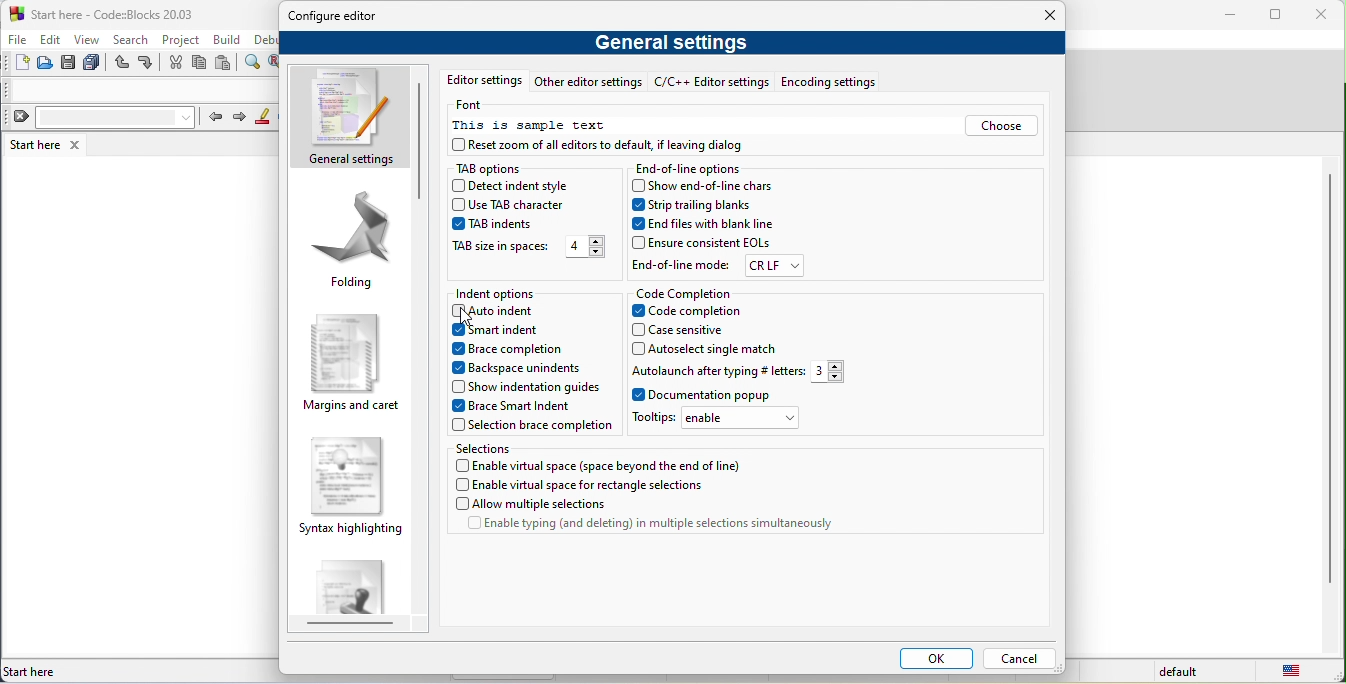 The width and height of the screenshot is (1346, 684). Describe the element at coordinates (716, 207) in the screenshot. I see `strip trailing blanks` at that location.